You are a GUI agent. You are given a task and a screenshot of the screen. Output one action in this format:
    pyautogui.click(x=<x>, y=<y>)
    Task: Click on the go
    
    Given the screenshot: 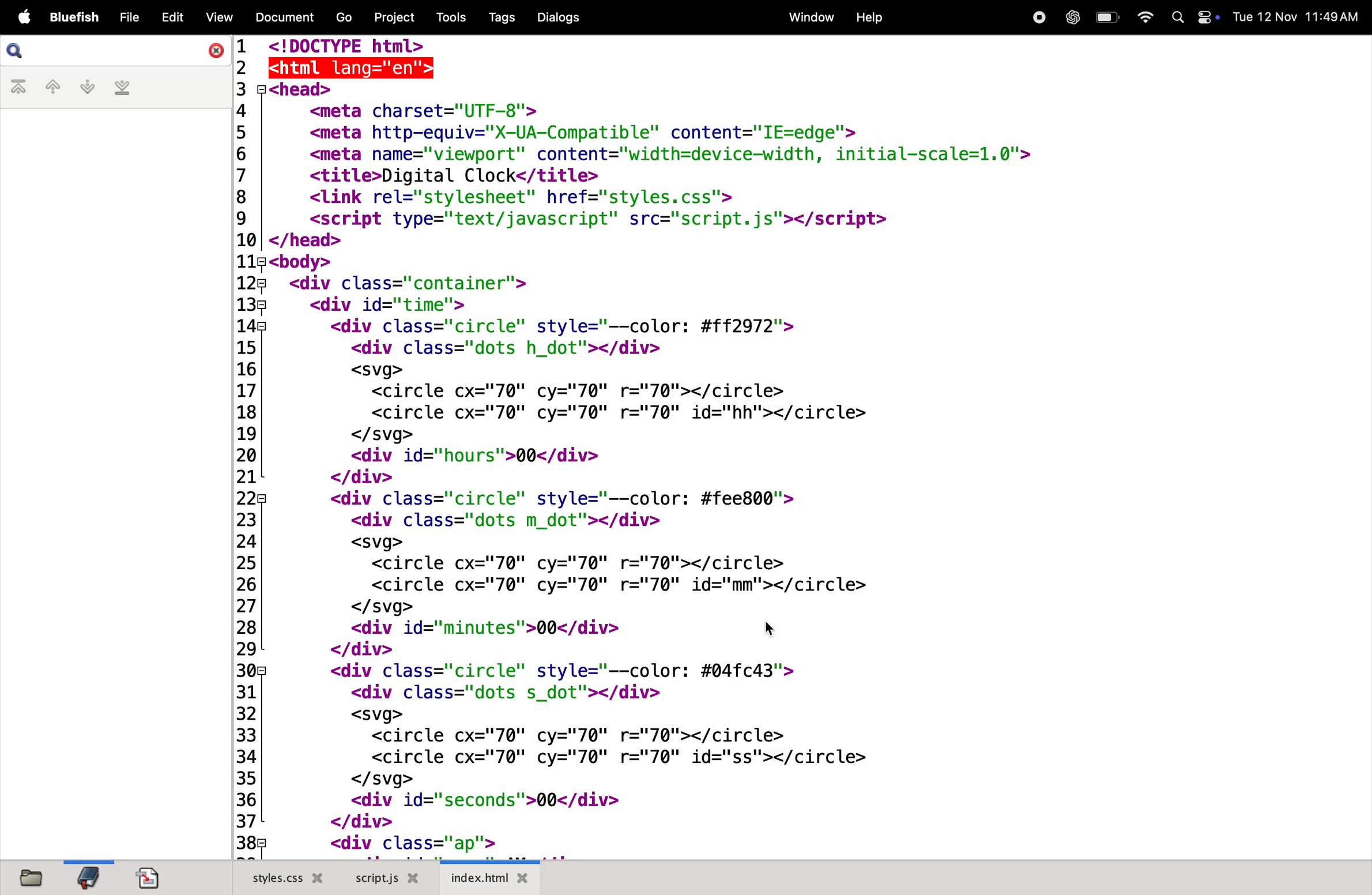 What is the action you would take?
    pyautogui.click(x=344, y=16)
    